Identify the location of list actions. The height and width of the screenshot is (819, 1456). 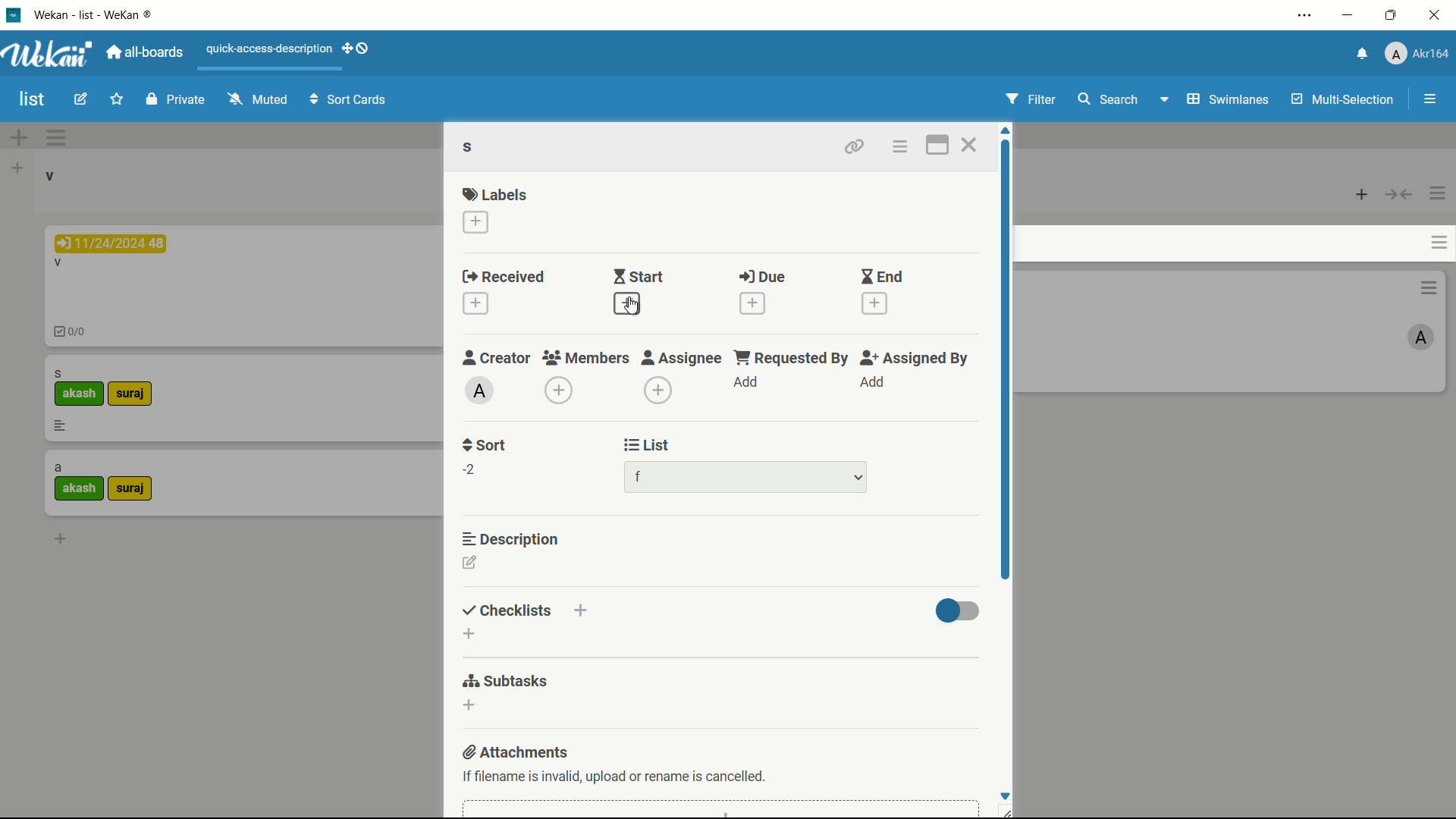
(1437, 195).